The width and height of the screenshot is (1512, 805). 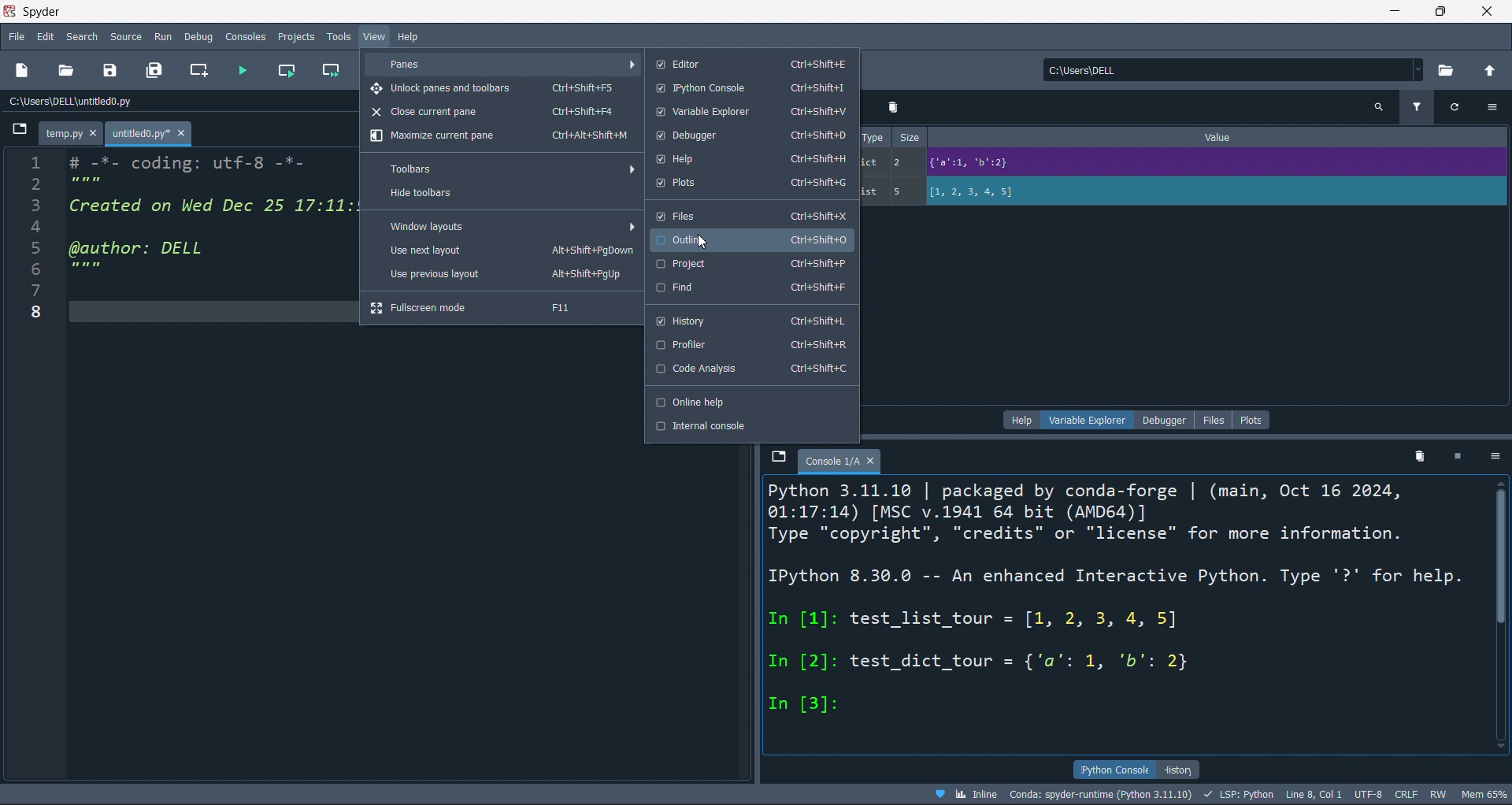 I want to click on file path, so click(x=179, y=103).